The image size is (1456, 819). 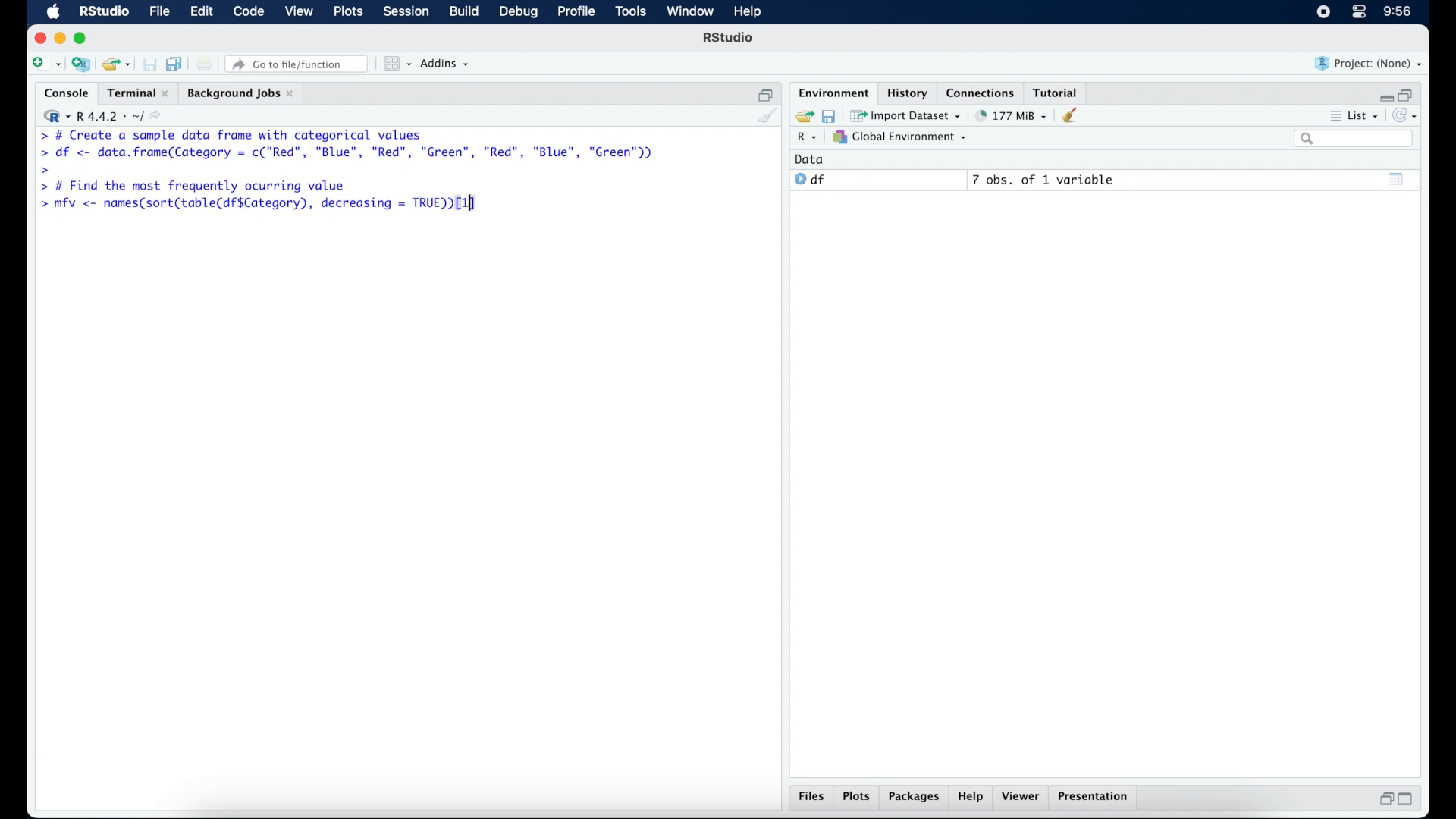 What do you see at coordinates (83, 39) in the screenshot?
I see `maximize` at bounding box center [83, 39].